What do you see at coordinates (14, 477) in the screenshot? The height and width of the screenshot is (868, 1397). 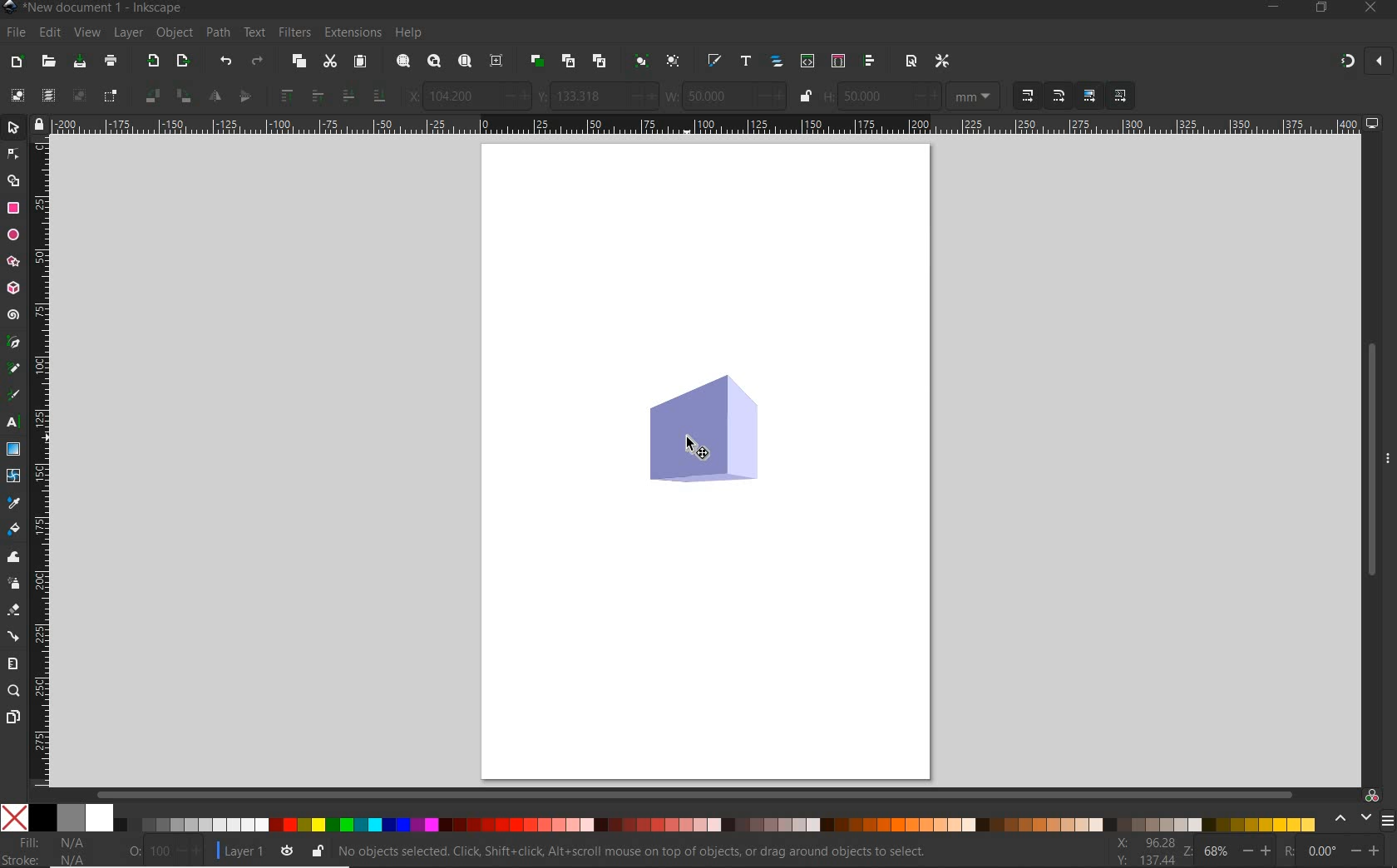 I see `mesh tool` at bounding box center [14, 477].